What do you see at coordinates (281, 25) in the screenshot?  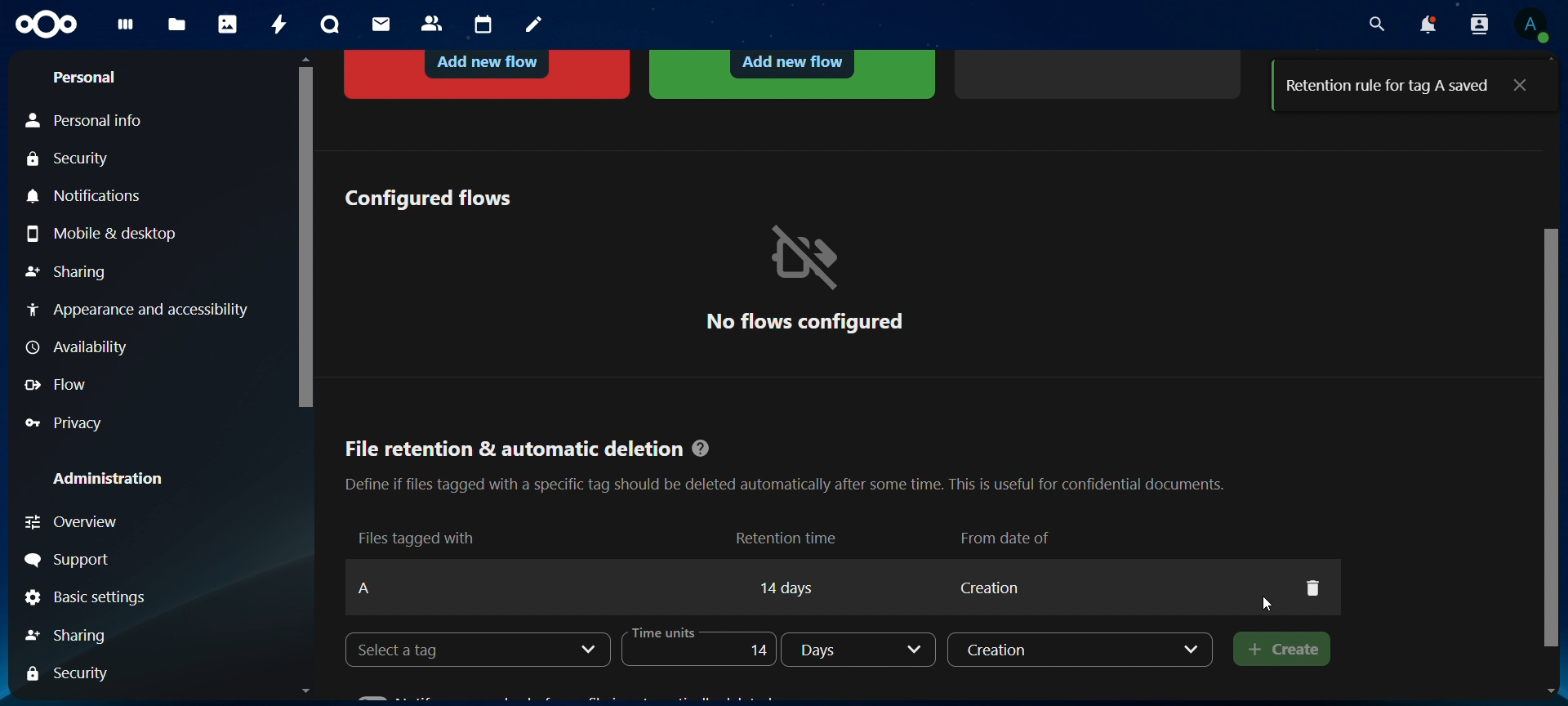 I see `activity` at bounding box center [281, 25].